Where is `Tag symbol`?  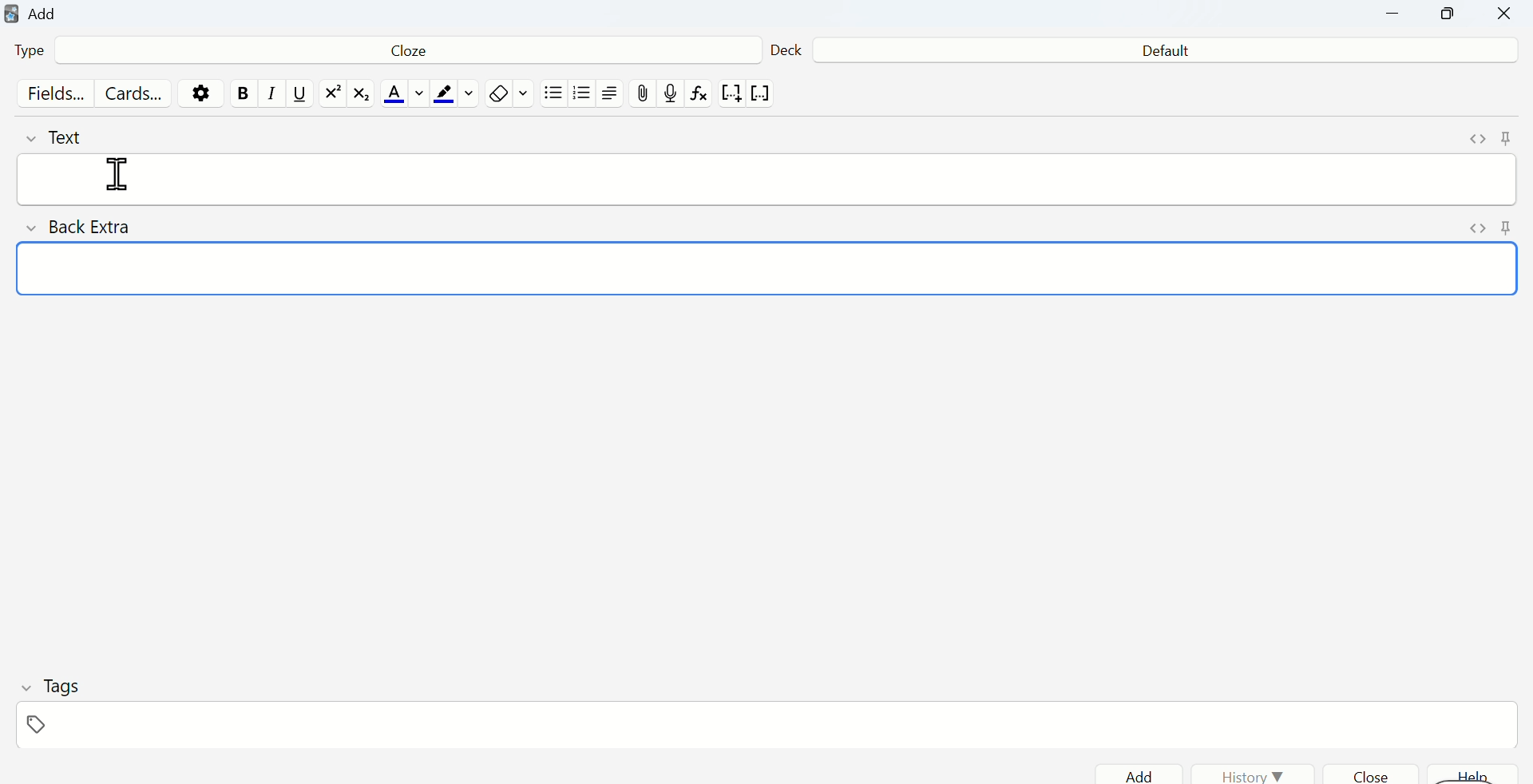 Tag symbol is located at coordinates (42, 723).